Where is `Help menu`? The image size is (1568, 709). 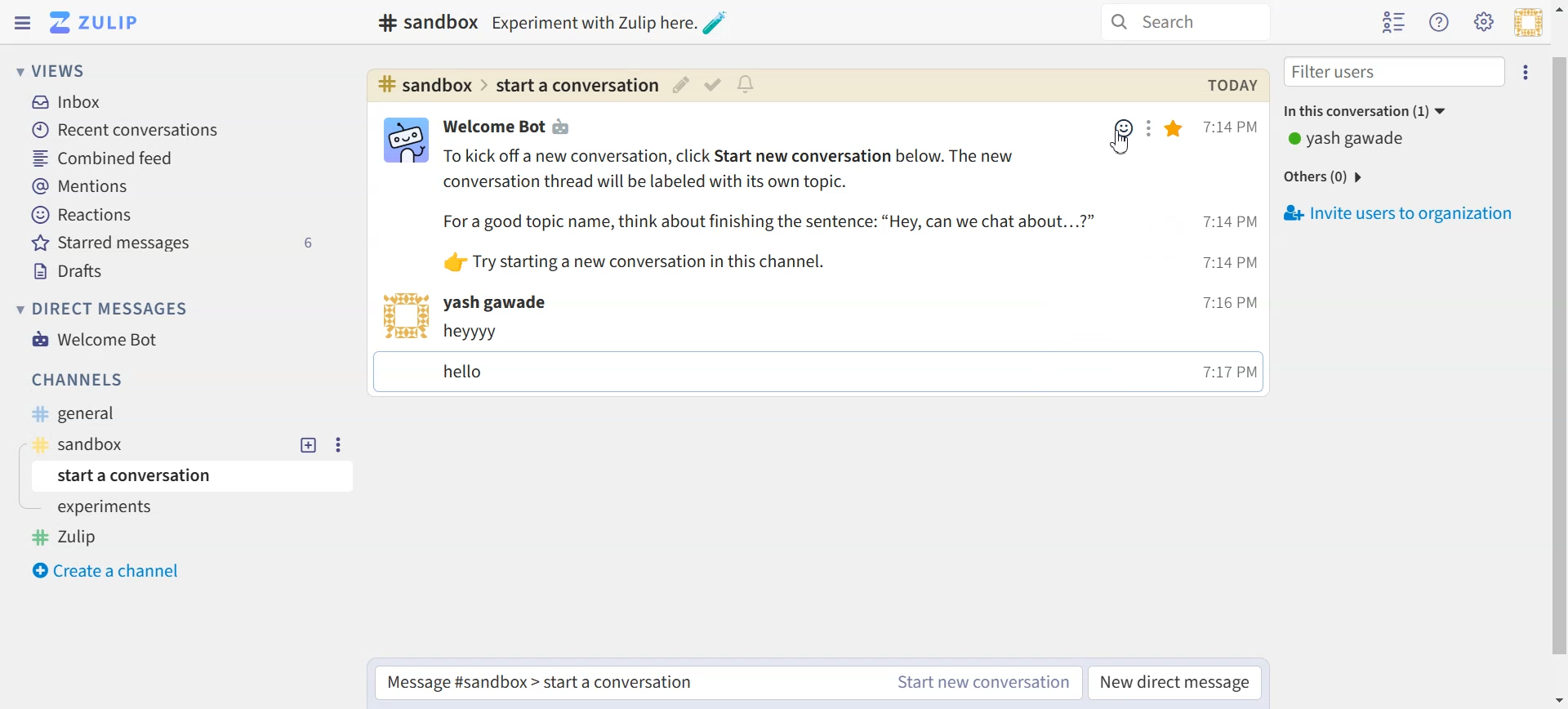 Help menu is located at coordinates (1440, 21).